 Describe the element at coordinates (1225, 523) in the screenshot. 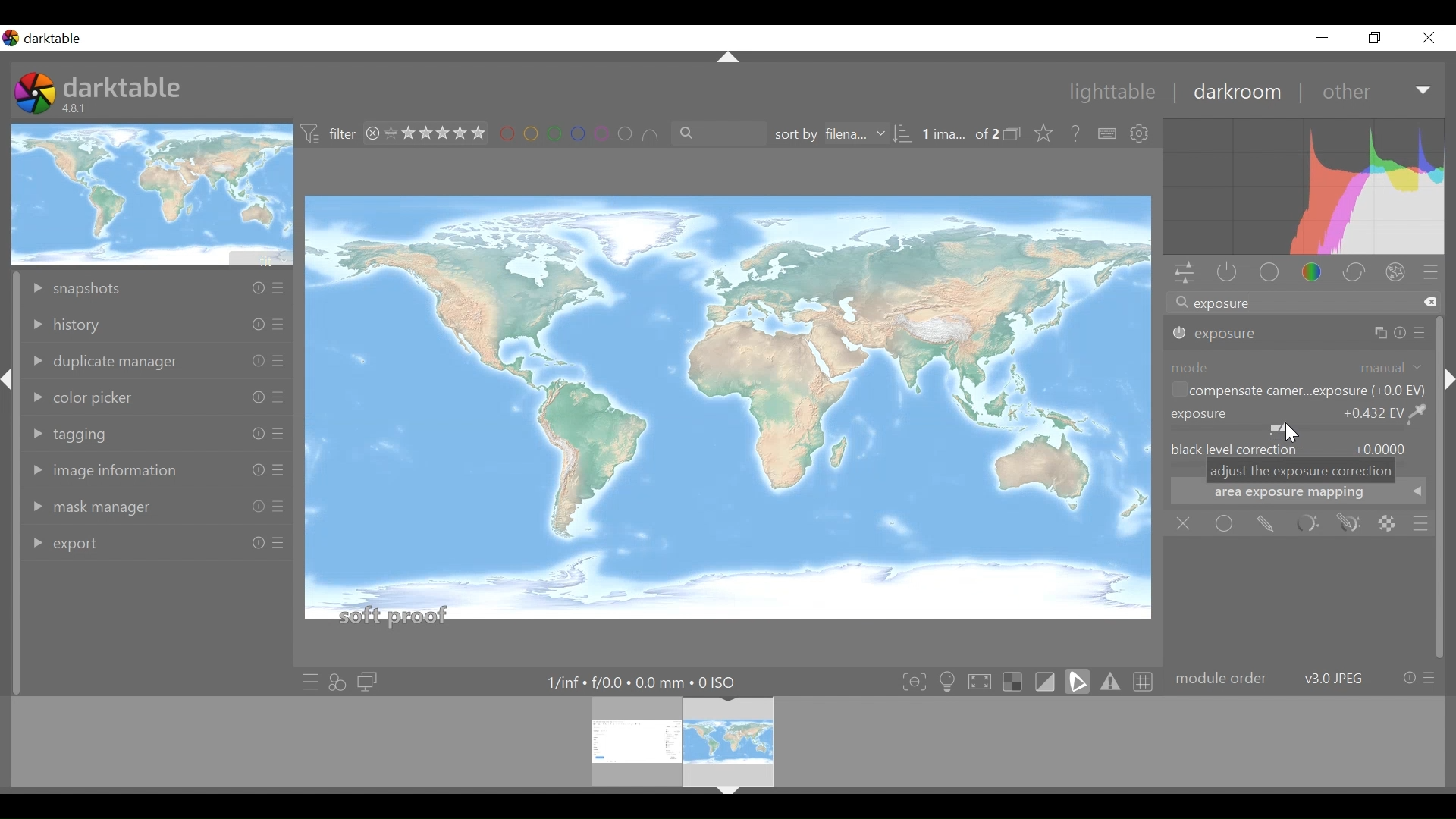

I see `uniformly` at that location.